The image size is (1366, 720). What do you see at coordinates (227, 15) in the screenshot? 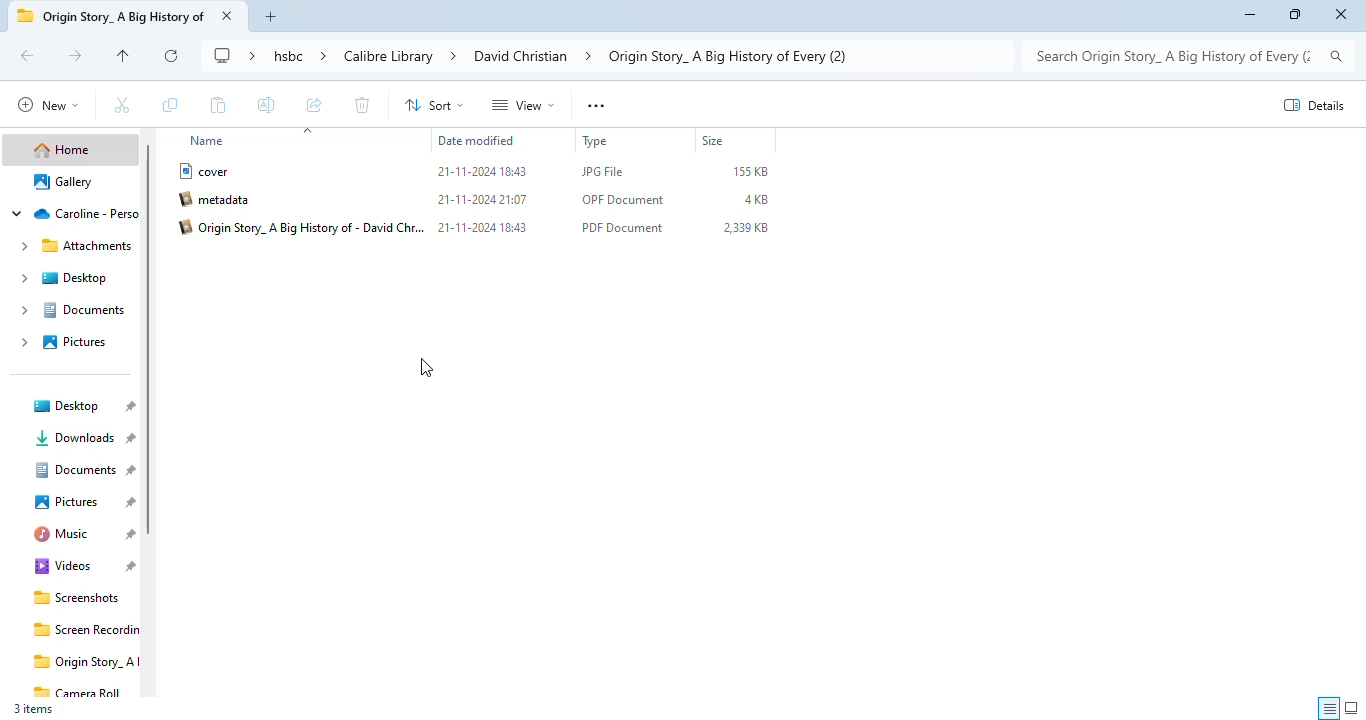
I see `close tab` at bounding box center [227, 15].